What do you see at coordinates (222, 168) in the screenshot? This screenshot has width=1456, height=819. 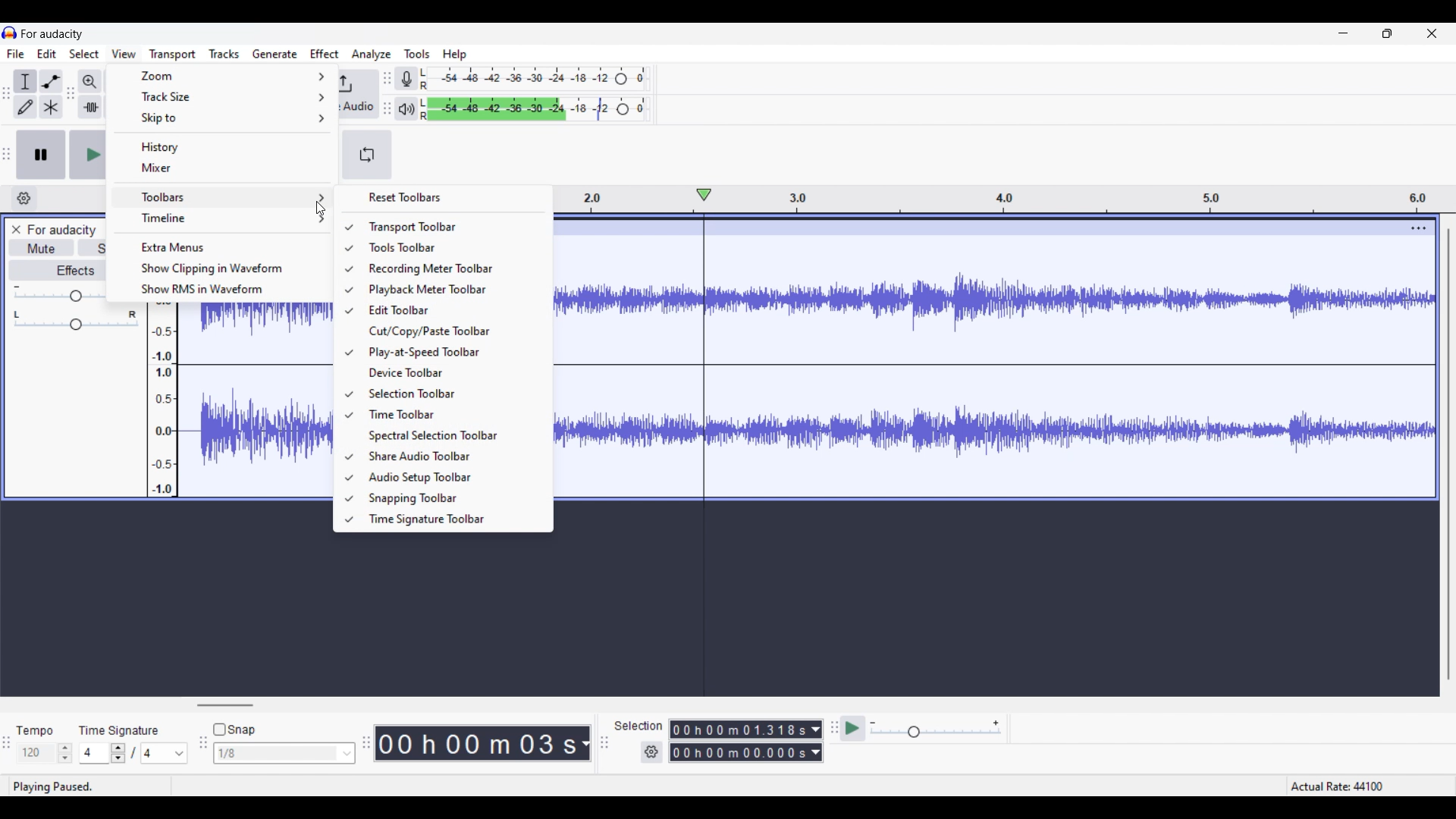 I see `Mixer` at bounding box center [222, 168].